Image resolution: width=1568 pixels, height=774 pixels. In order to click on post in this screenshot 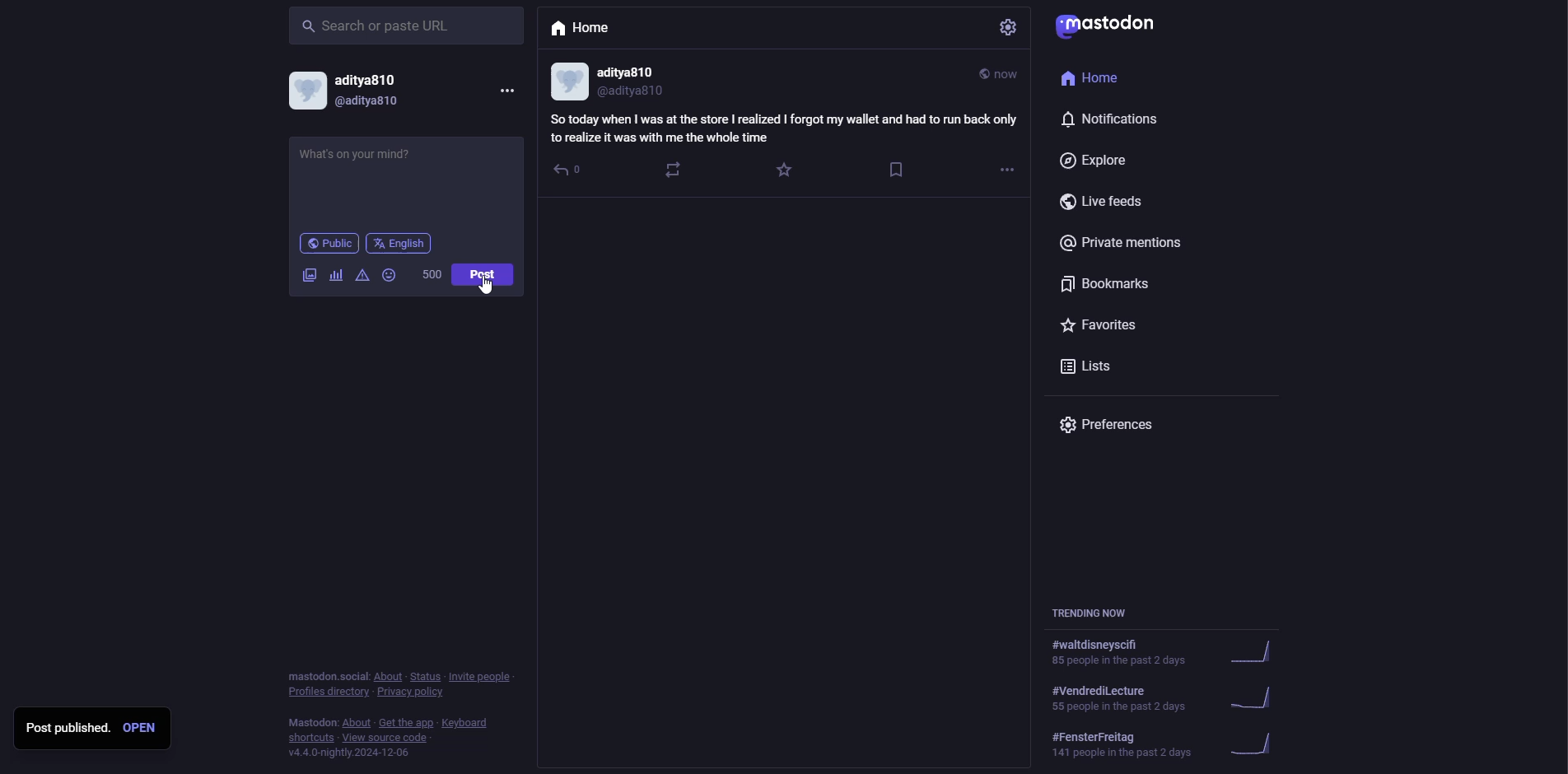, I will do `click(784, 128)`.